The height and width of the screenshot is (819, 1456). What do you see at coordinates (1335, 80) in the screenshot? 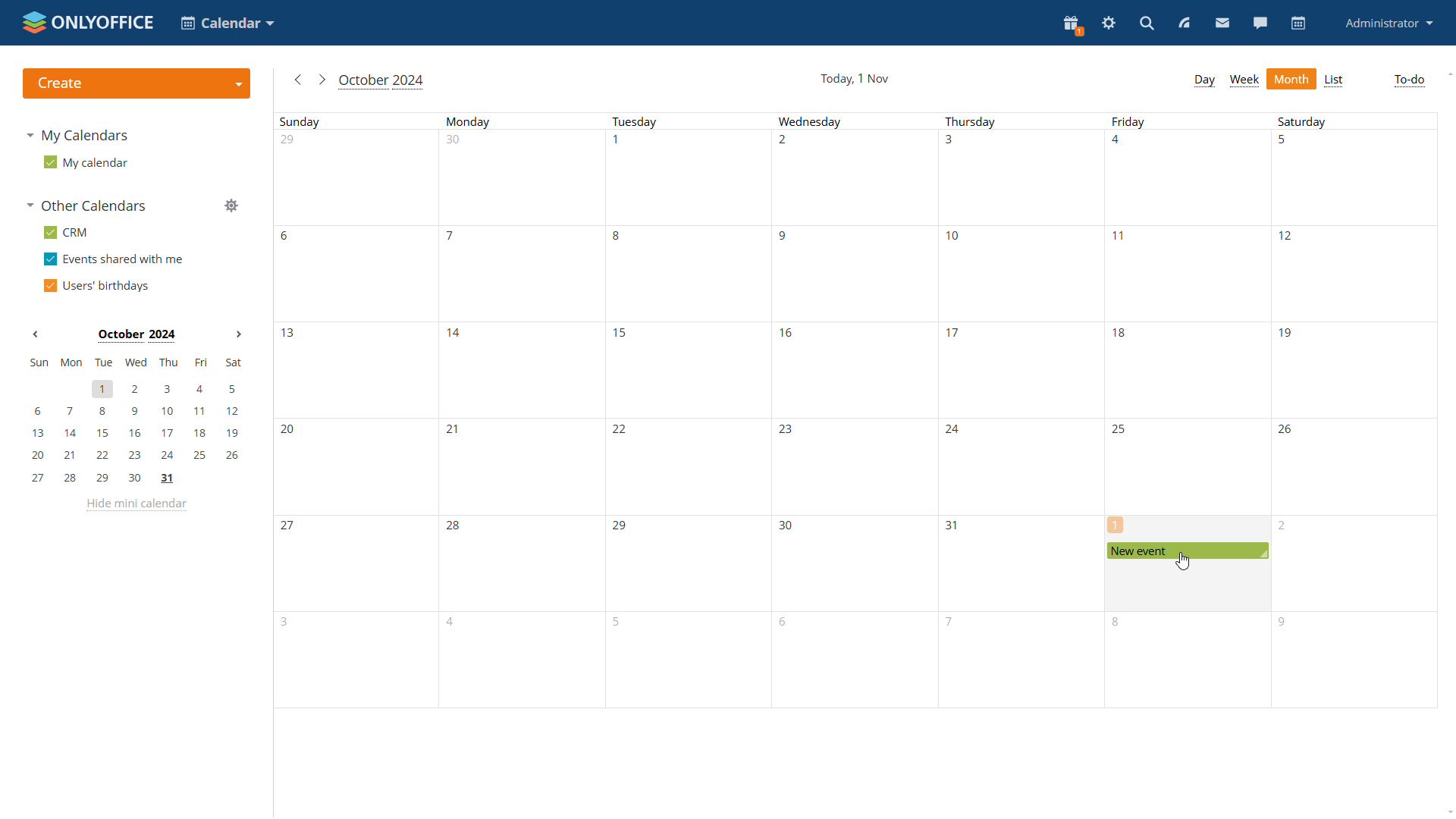
I see `list view ` at bounding box center [1335, 80].